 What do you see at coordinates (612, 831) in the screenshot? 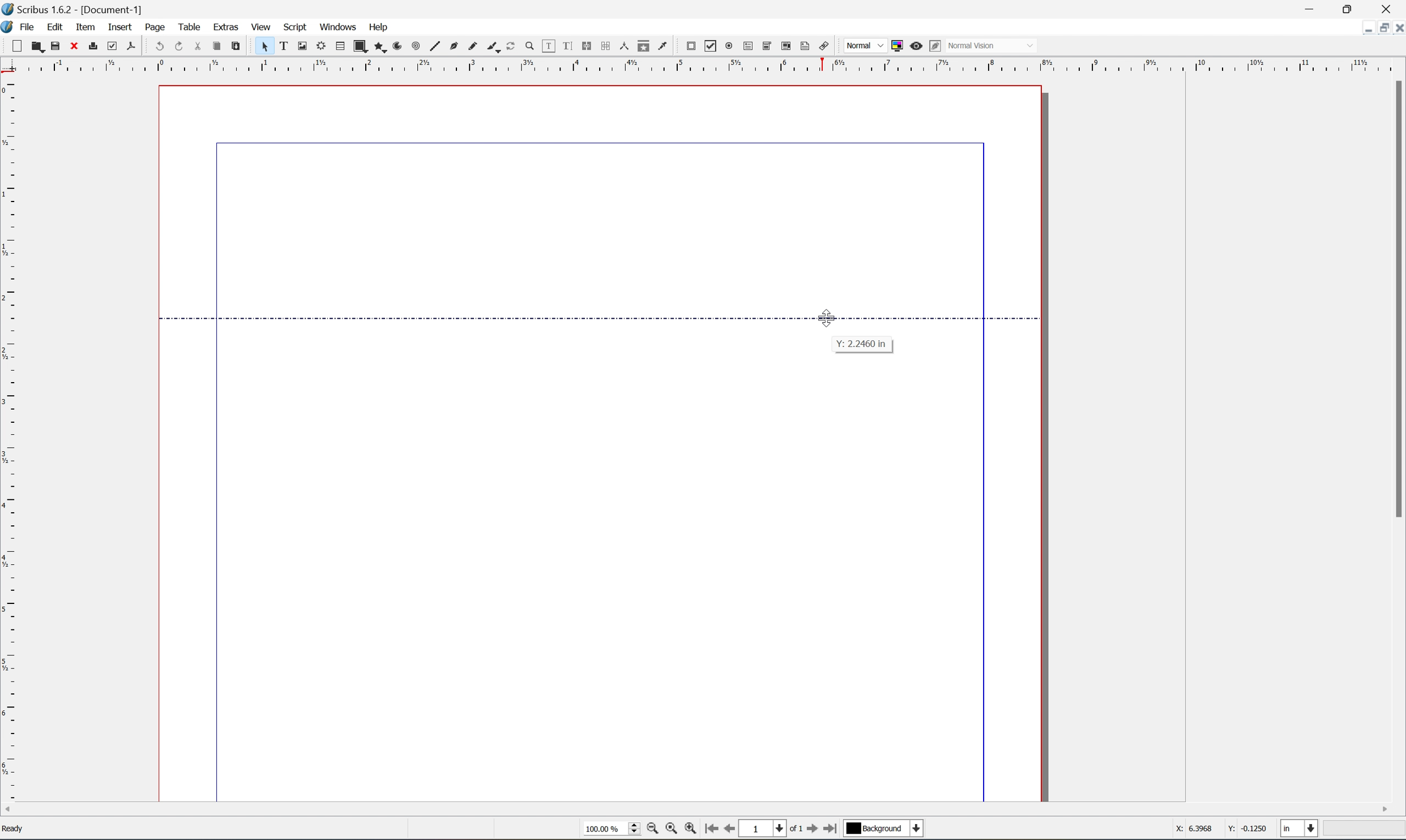
I see `select current zoom level` at bounding box center [612, 831].